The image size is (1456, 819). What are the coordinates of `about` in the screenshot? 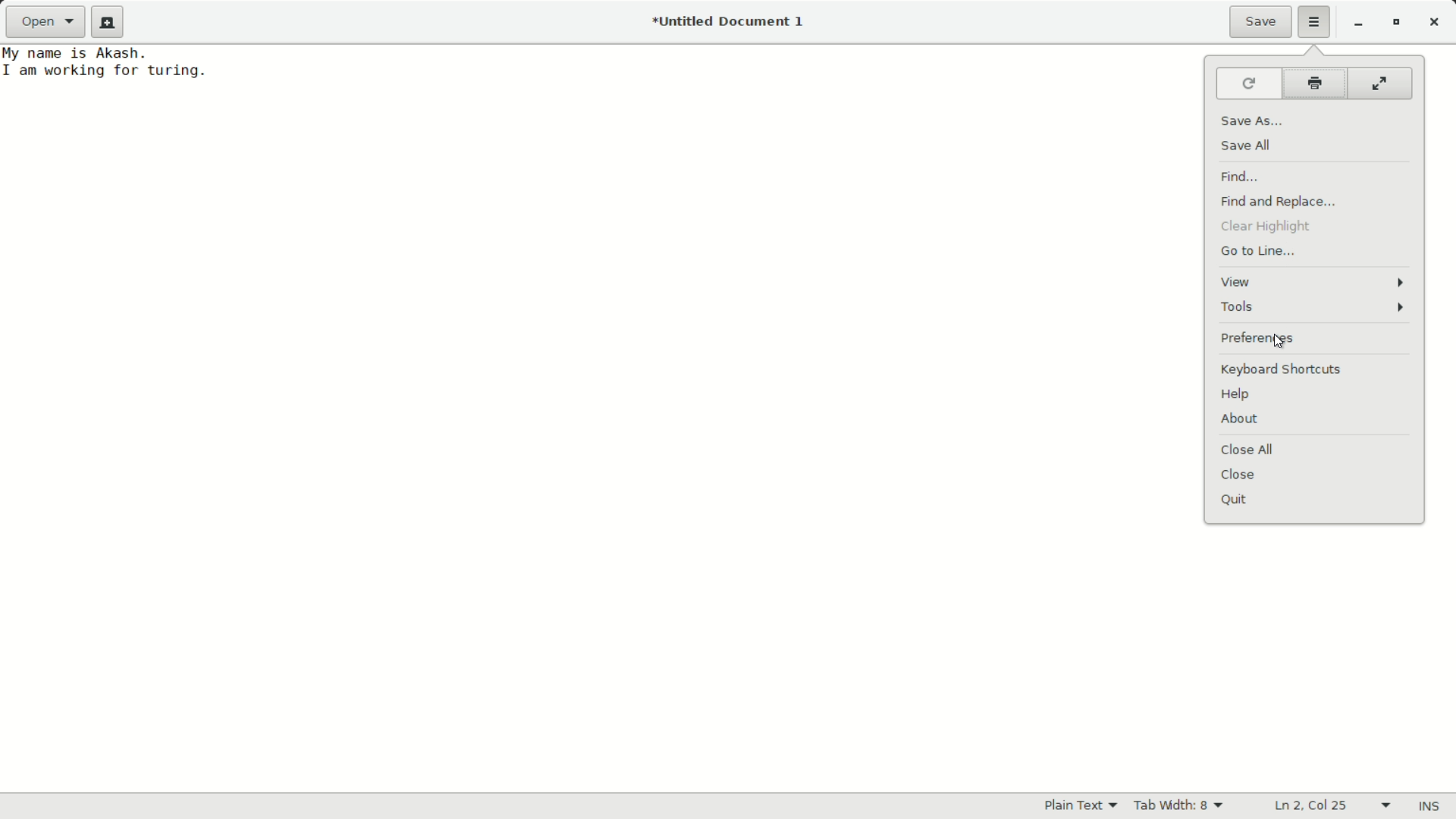 It's located at (1241, 419).